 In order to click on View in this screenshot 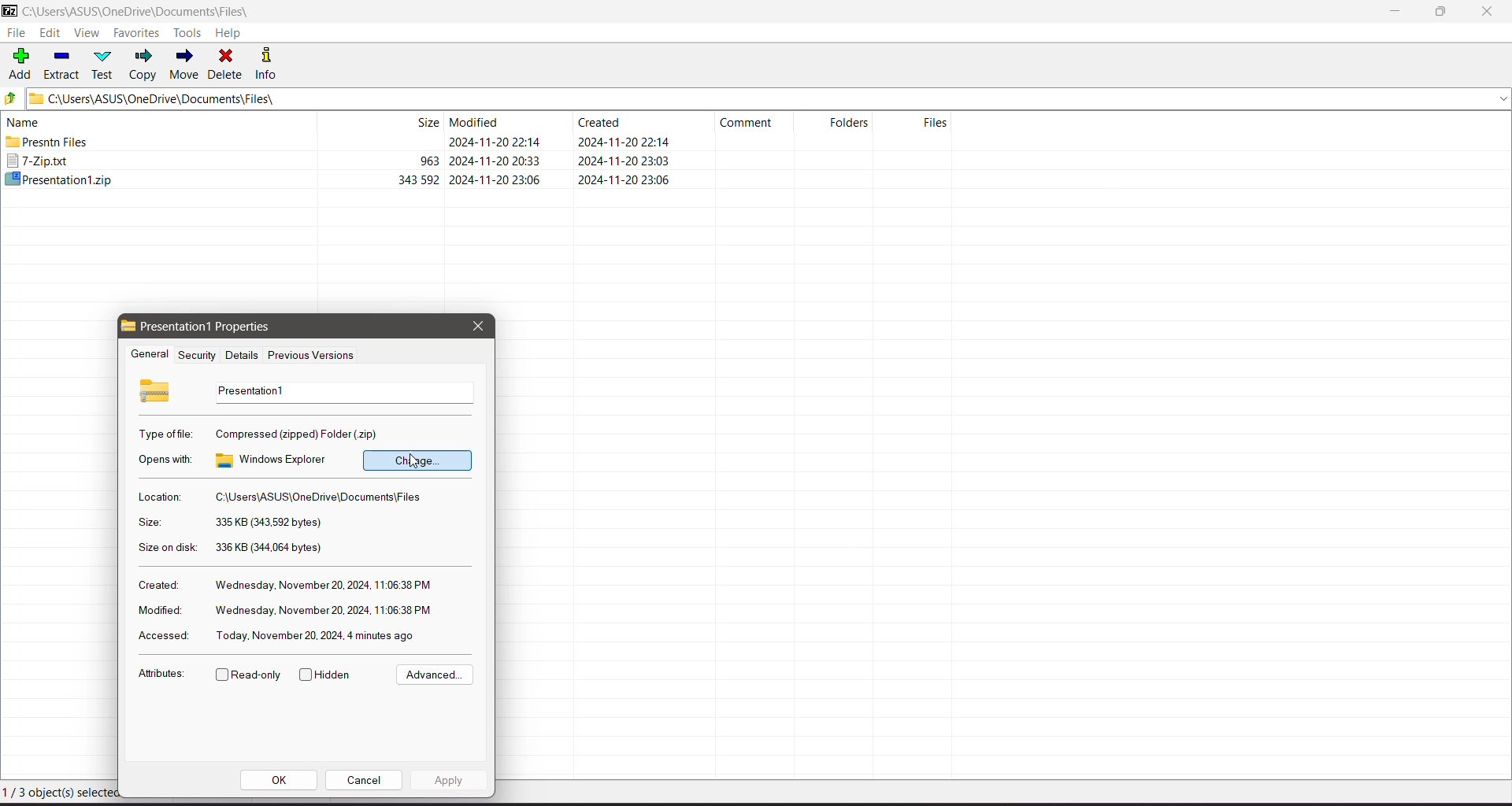, I will do `click(87, 34)`.